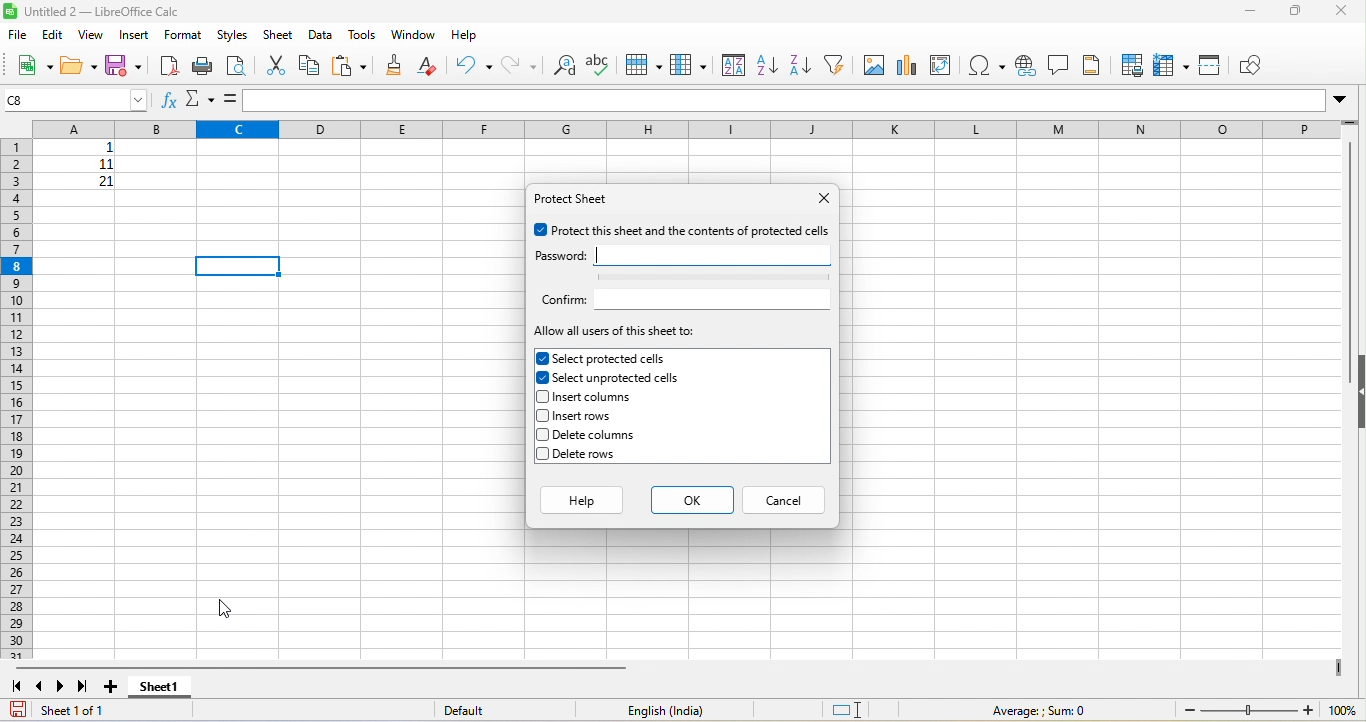 The height and width of the screenshot is (722, 1366). I want to click on delete columns, so click(615, 437).